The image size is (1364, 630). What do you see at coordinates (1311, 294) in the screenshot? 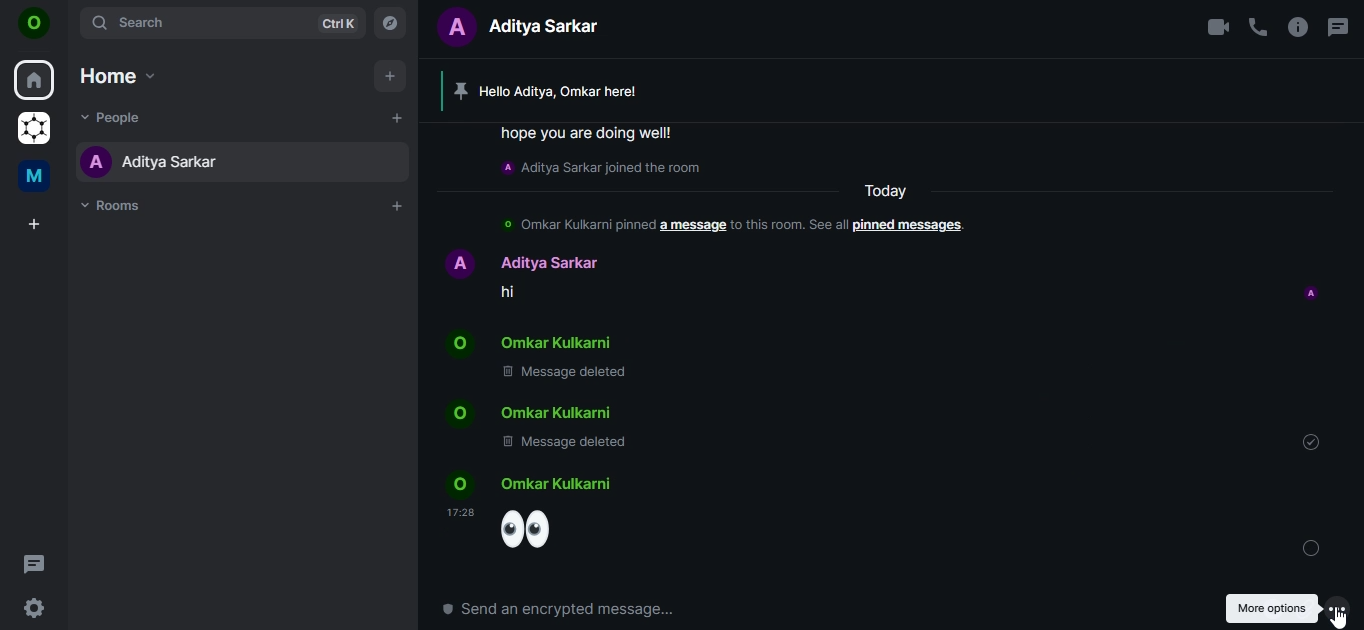
I see `profile` at bounding box center [1311, 294].